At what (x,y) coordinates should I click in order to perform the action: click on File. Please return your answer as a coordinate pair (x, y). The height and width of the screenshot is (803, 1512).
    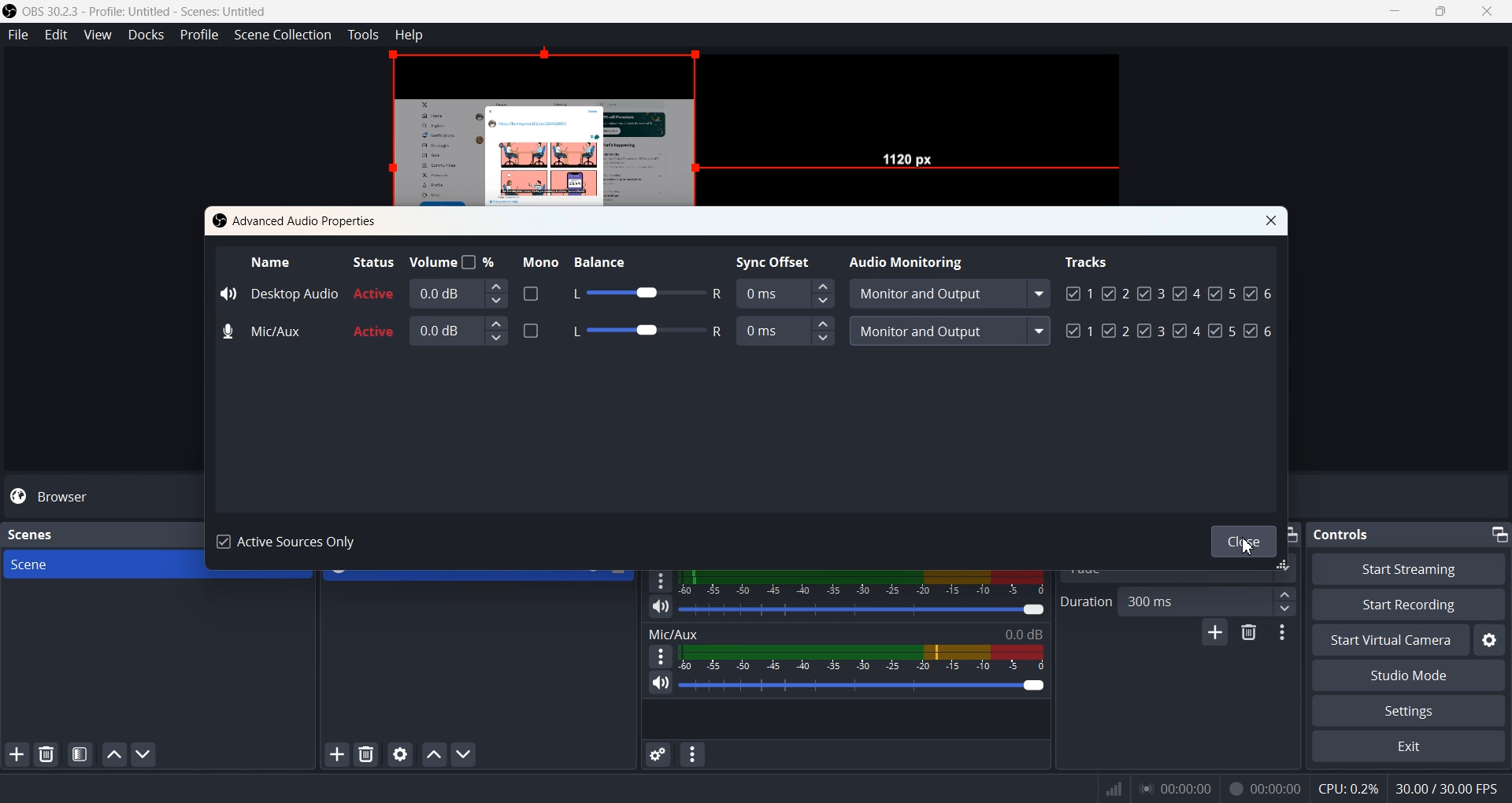
    Looking at the image, I should click on (18, 35).